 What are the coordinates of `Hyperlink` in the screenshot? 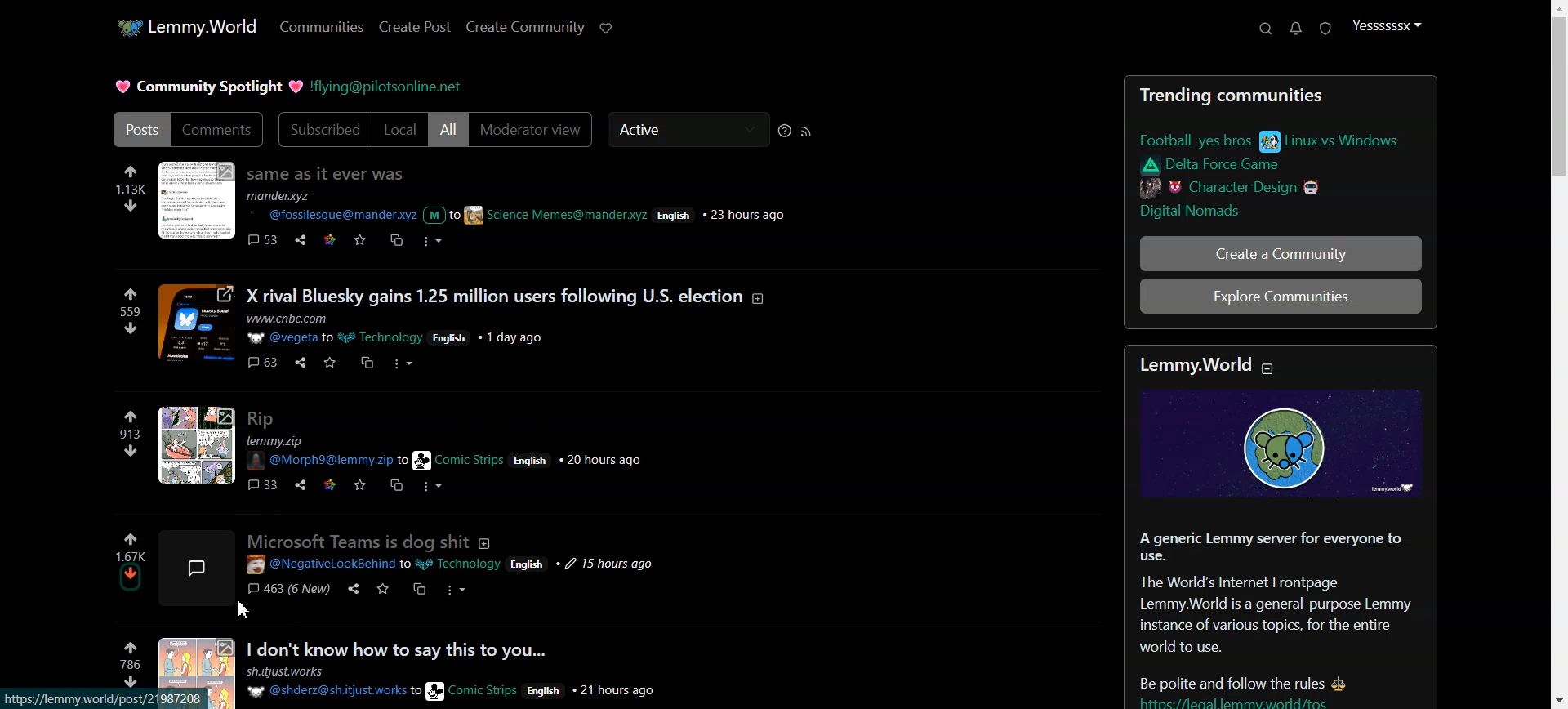 It's located at (385, 87).